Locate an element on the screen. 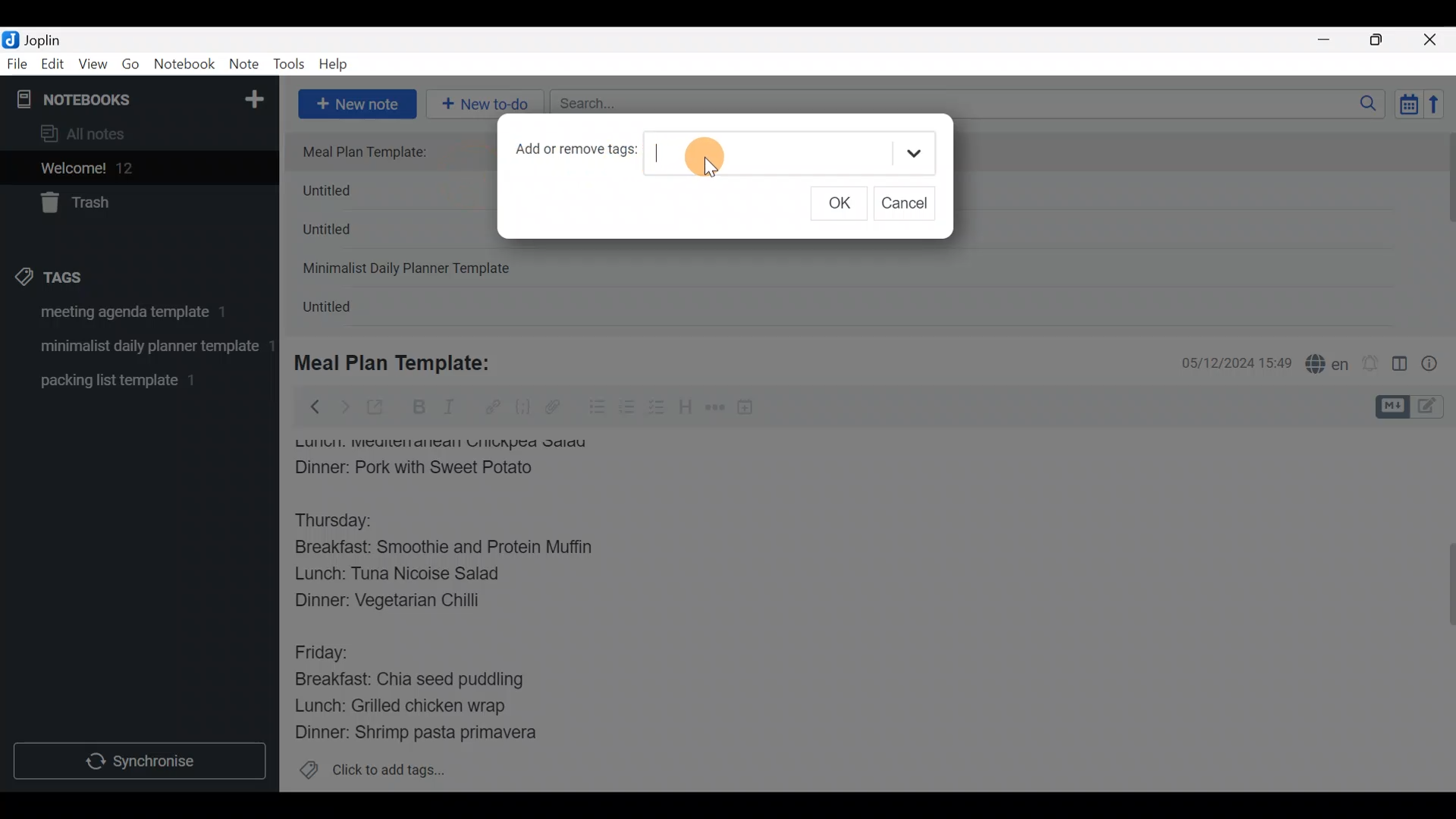  Tools is located at coordinates (290, 65).